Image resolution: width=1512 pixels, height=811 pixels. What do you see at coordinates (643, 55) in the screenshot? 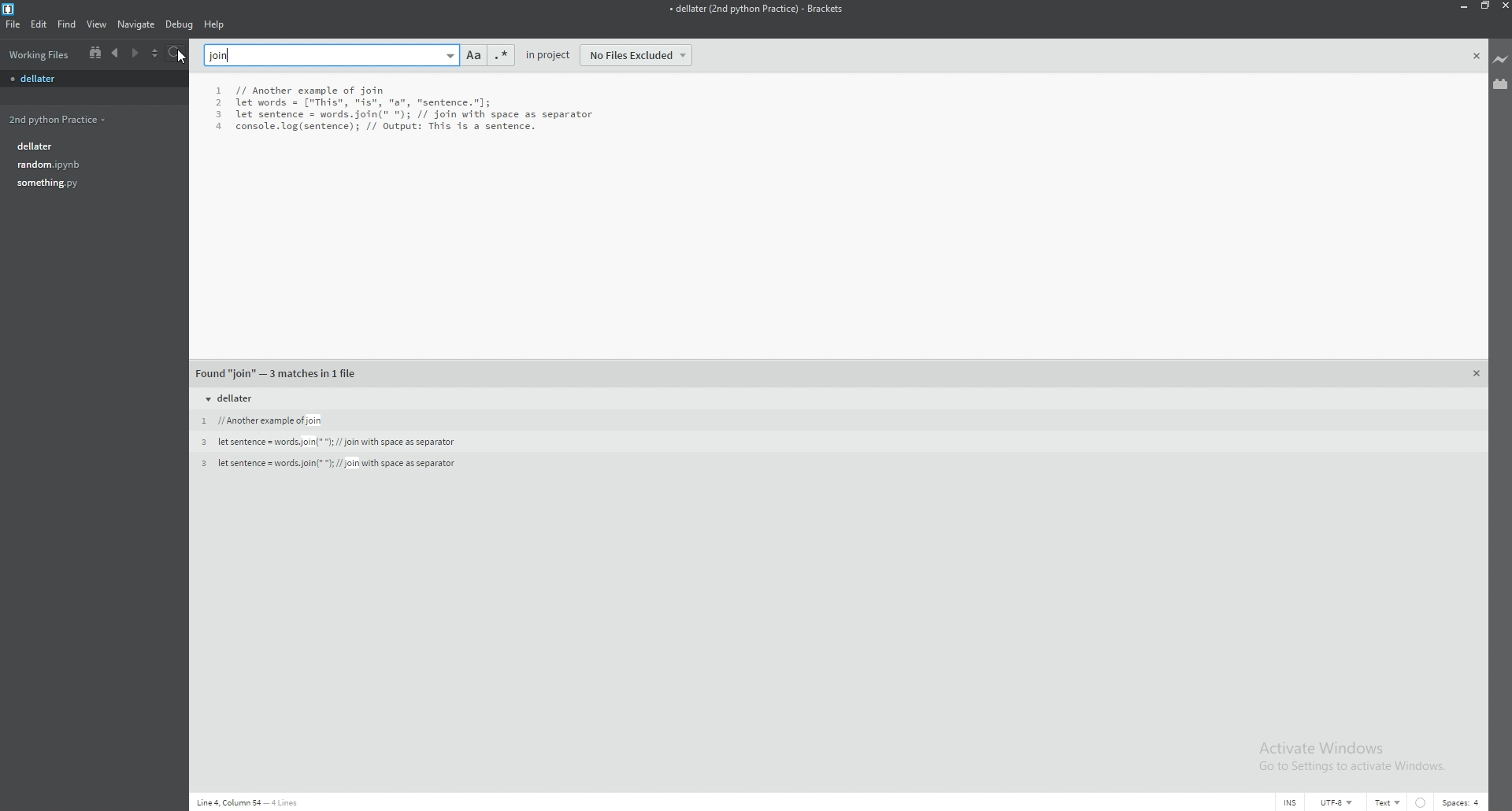
I see ` No Files Excluded ` at bounding box center [643, 55].